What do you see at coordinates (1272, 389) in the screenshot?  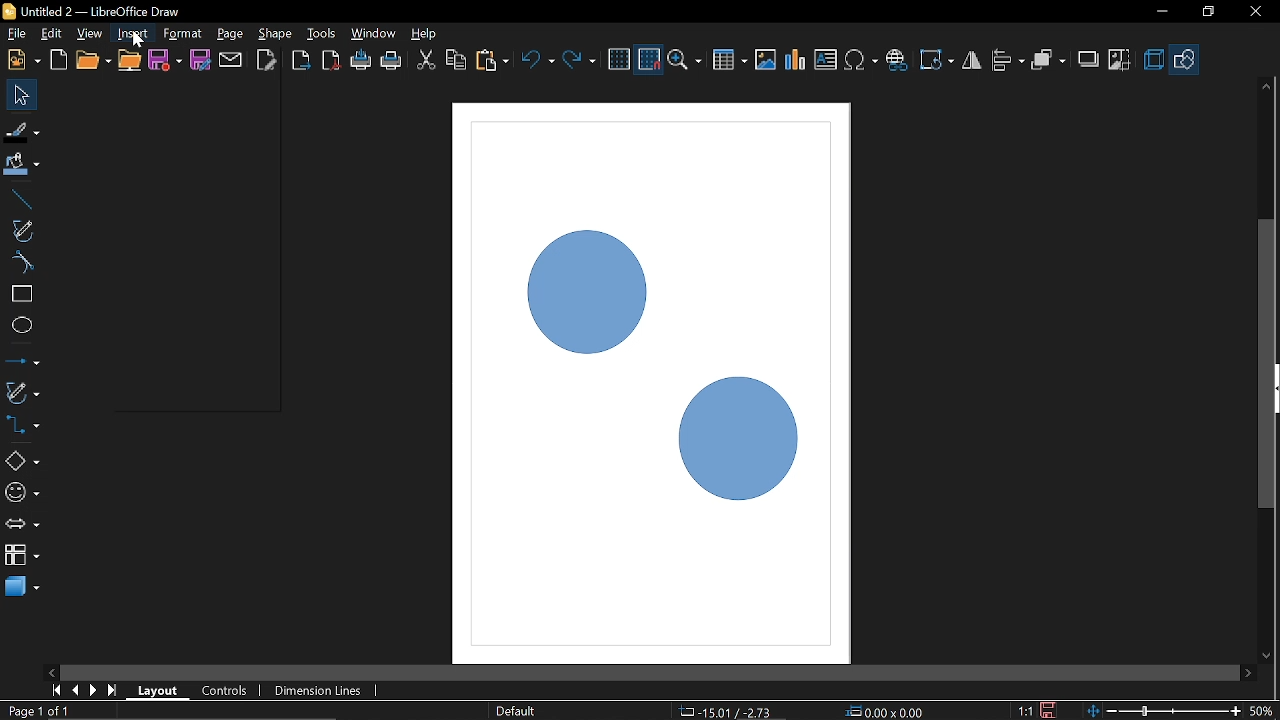 I see `Sidebar` at bounding box center [1272, 389].